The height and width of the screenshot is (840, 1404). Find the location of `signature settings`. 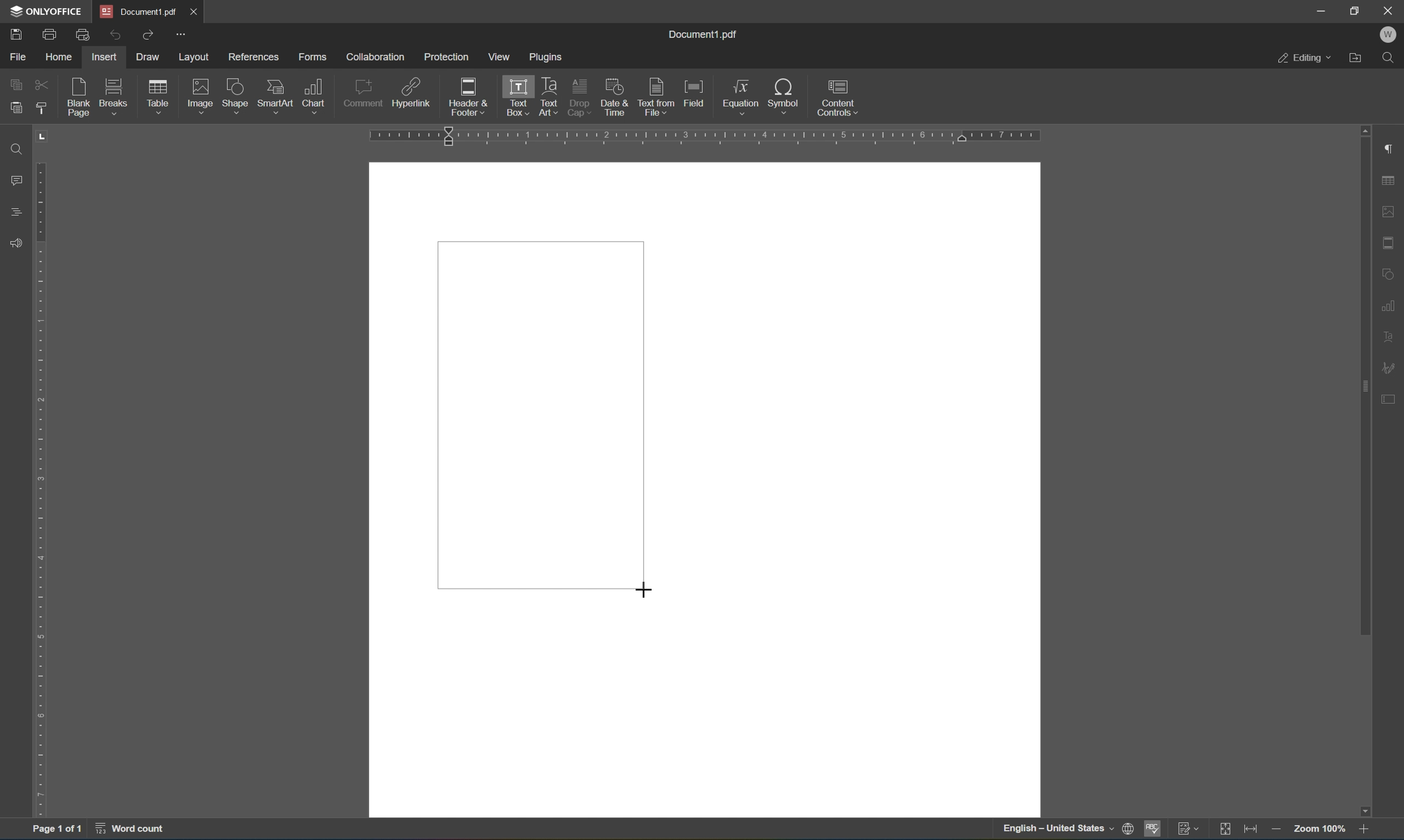

signature settings is located at coordinates (1387, 367).